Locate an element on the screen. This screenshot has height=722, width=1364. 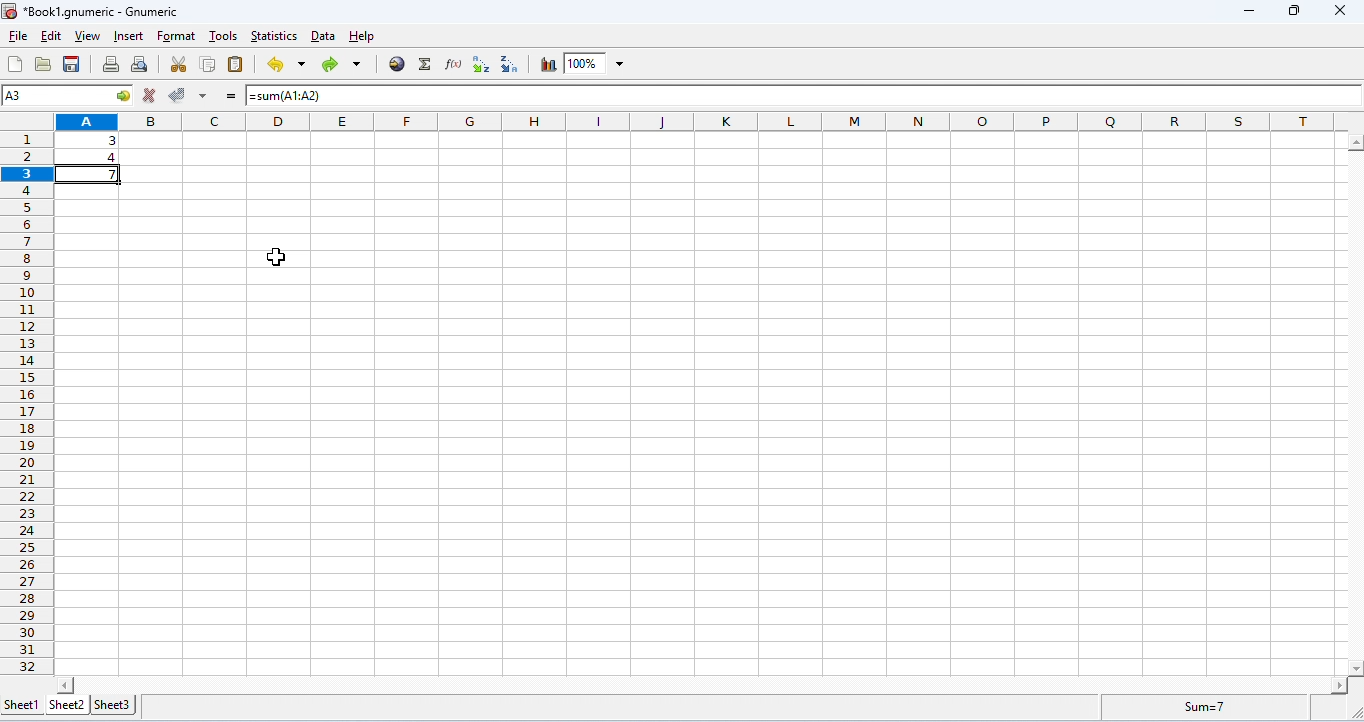
maximize is located at coordinates (1294, 11).